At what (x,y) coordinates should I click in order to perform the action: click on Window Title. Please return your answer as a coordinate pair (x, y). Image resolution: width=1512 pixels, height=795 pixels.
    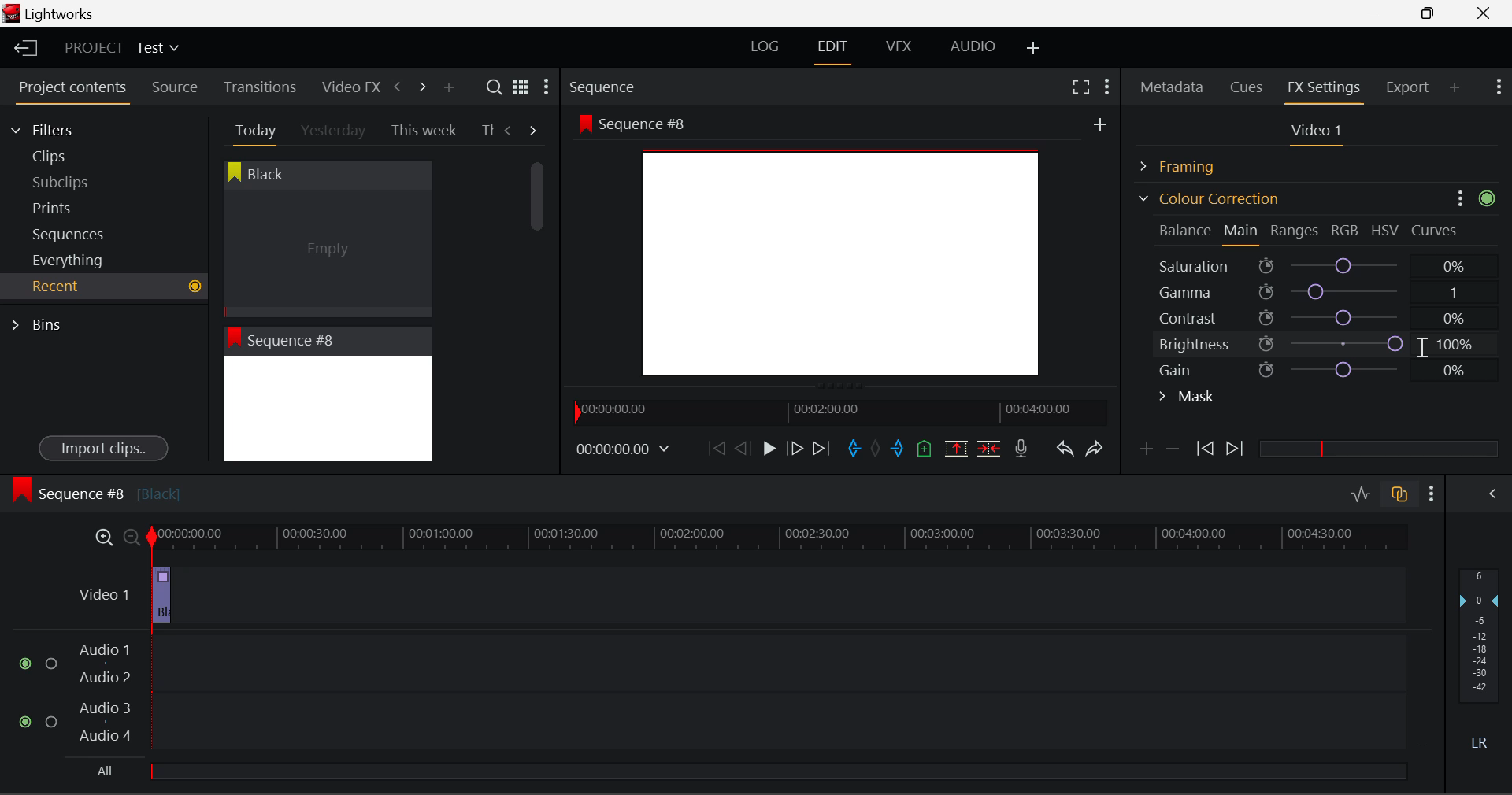
    Looking at the image, I should click on (49, 15).